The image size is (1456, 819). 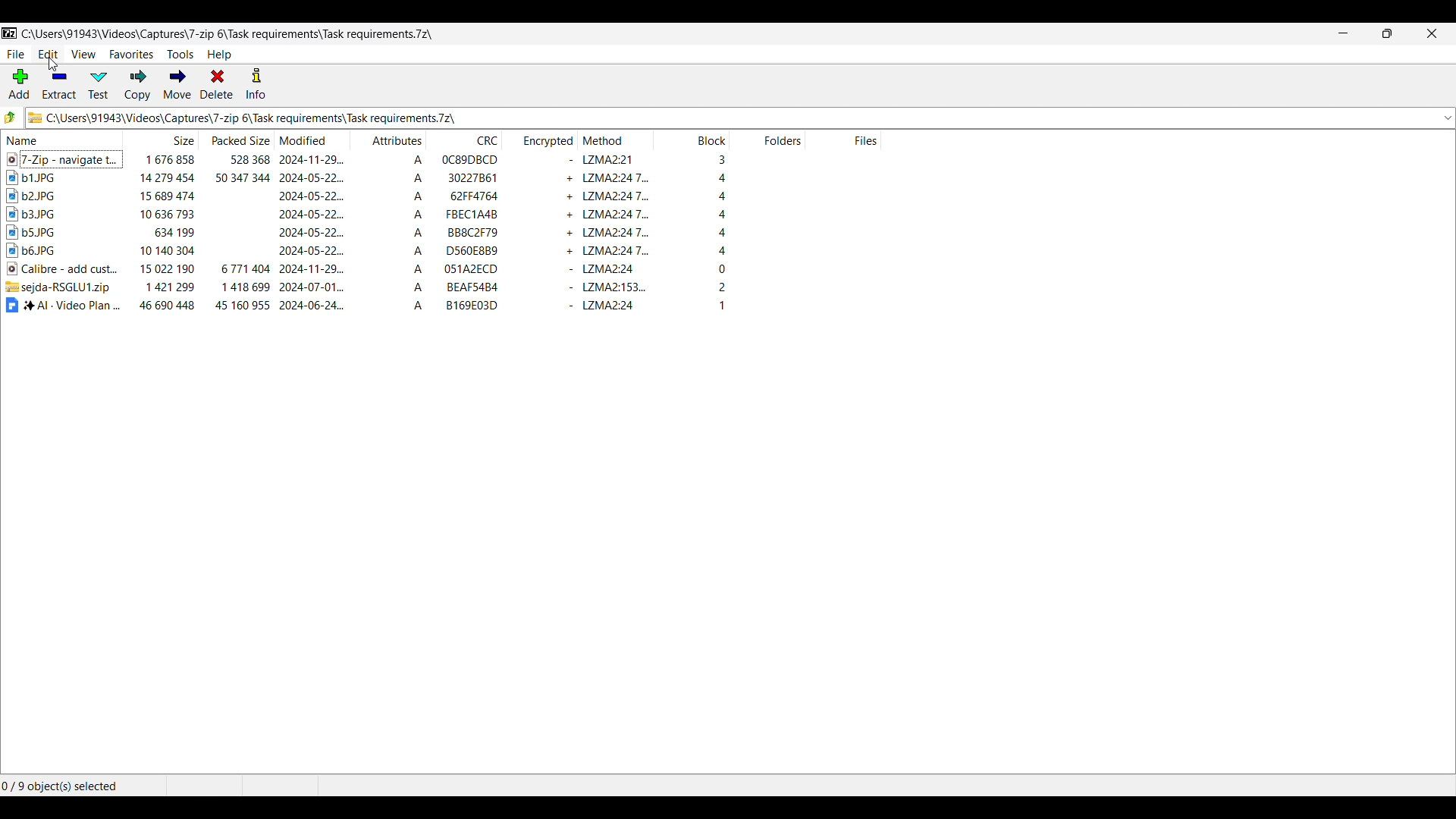 What do you see at coordinates (1447, 118) in the screenshot?
I see `dropdown` at bounding box center [1447, 118].